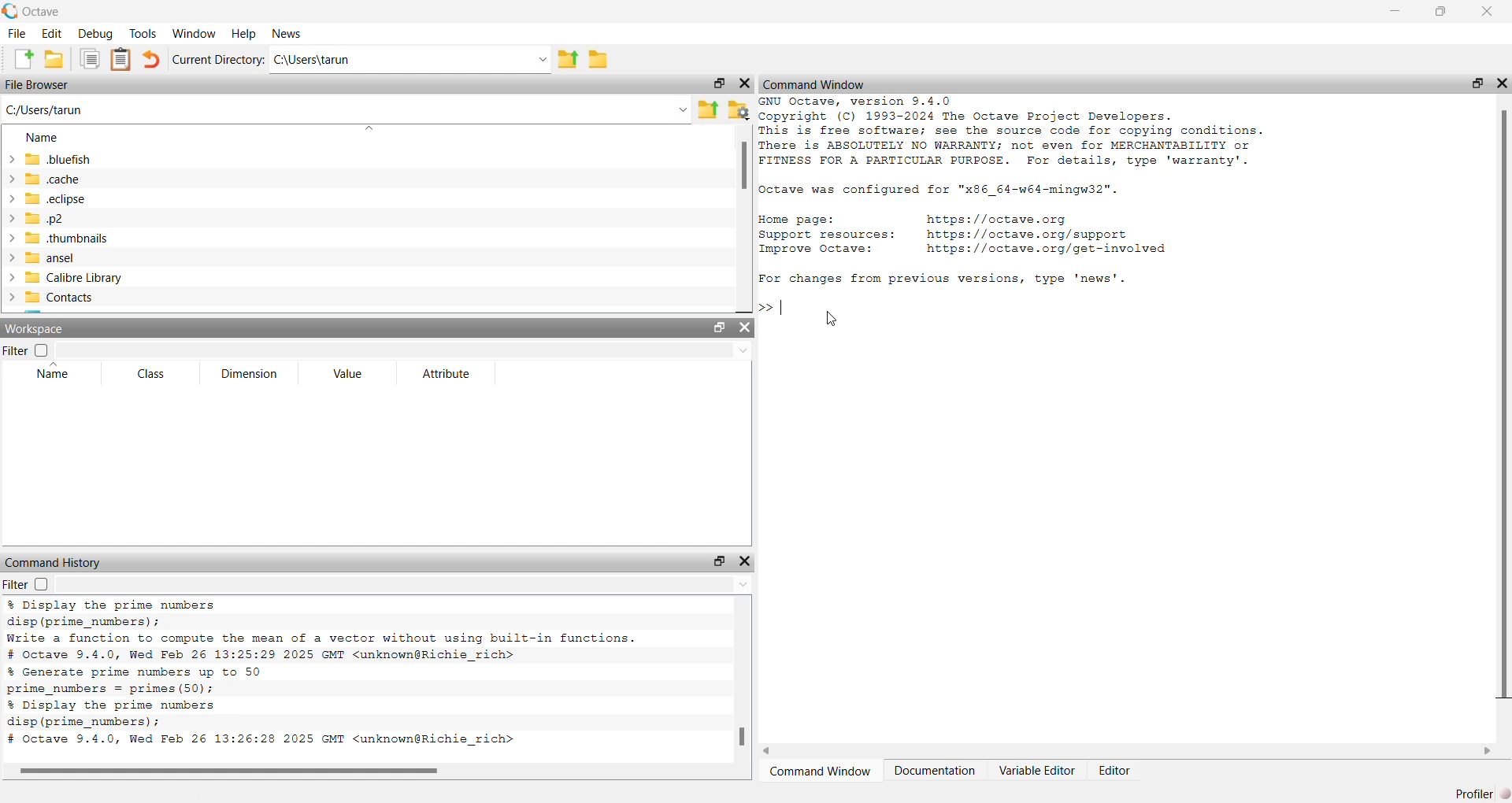 This screenshot has width=1512, height=803. Describe the element at coordinates (54, 59) in the screenshot. I see `add folder` at that location.